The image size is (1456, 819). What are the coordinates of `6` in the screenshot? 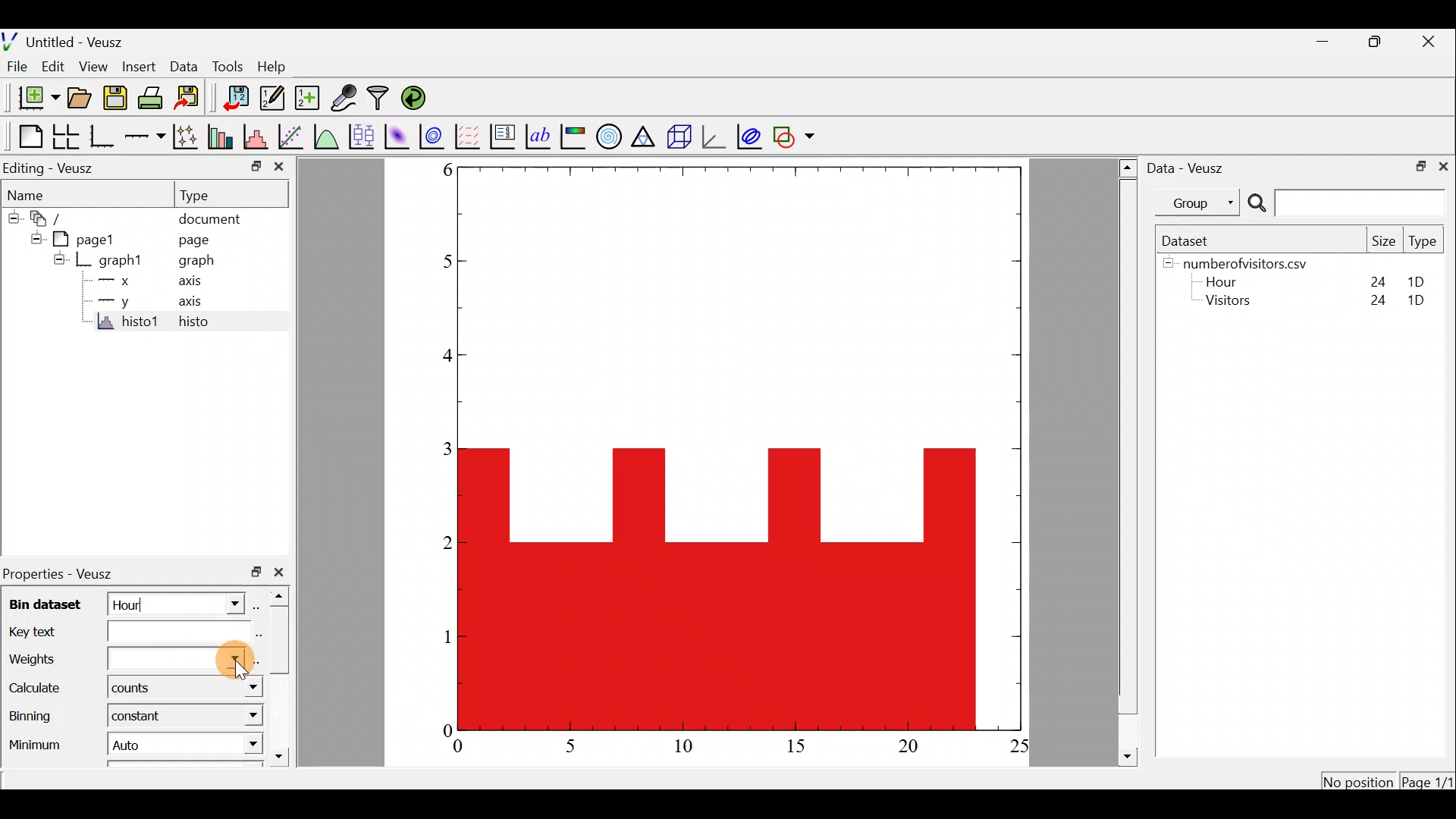 It's located at (442, 173).